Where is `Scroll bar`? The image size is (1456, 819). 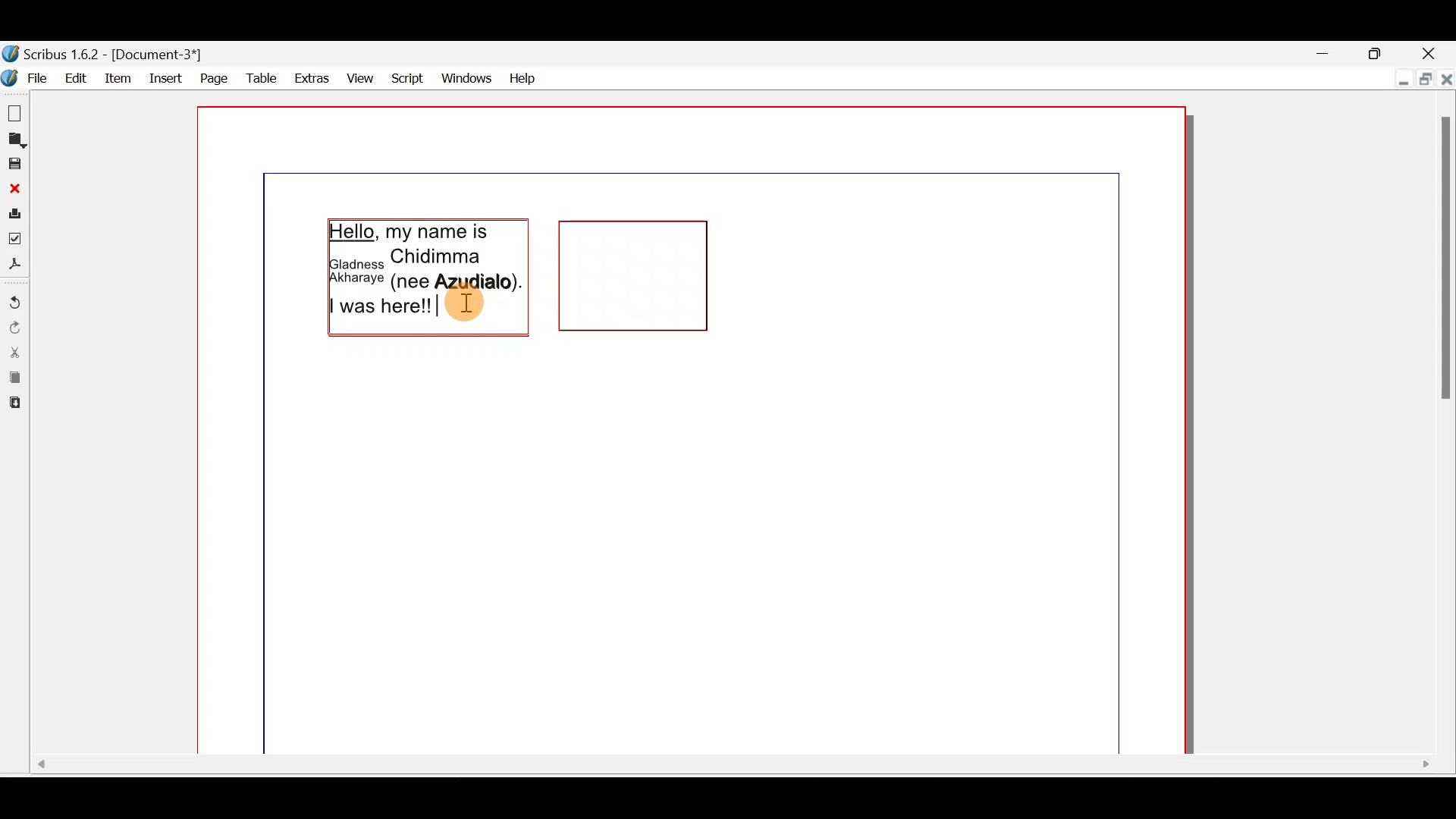 Scroll bar is located at coordinates (730, 771).